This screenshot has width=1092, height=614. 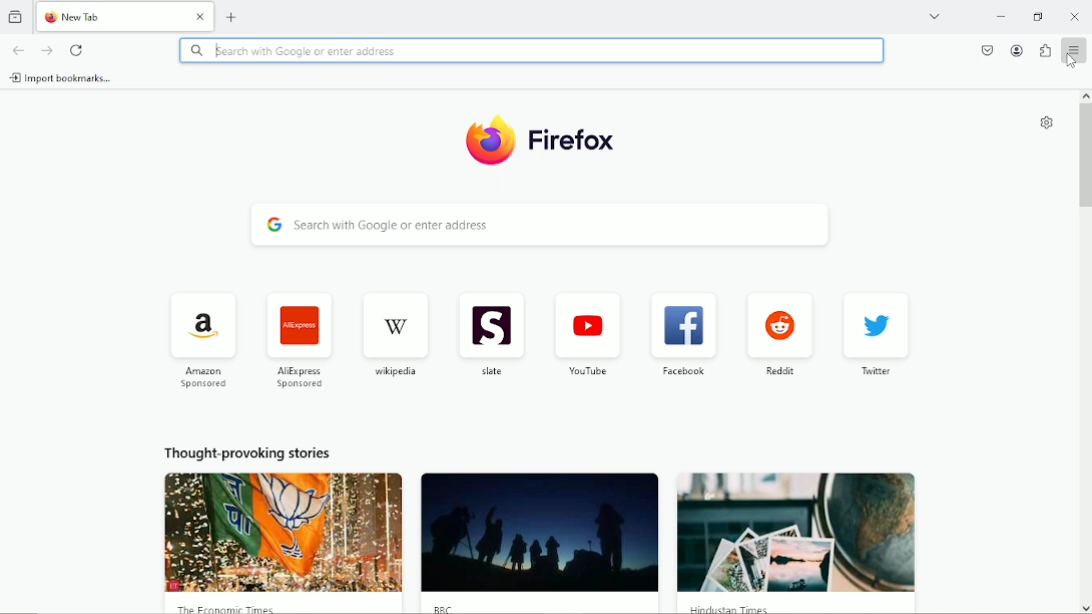 What do you see at coordinates (936, 16) in the screenshot?
I see `list all tabs` at bounding box center [936, 16].